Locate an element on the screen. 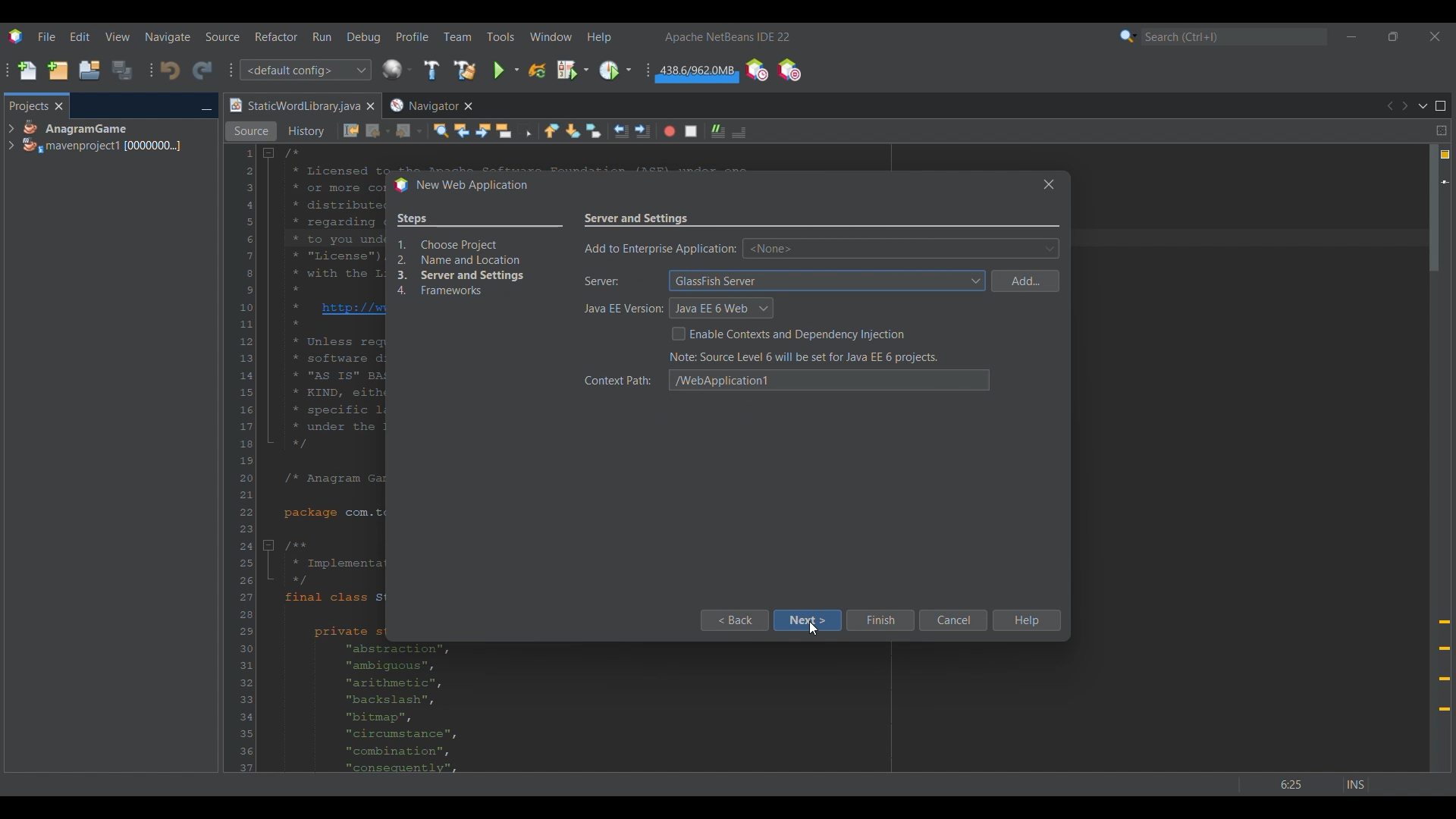 Image resolution: width=1456 pixels, height=819 pixels. Forward is located at coordinates (409, 131).